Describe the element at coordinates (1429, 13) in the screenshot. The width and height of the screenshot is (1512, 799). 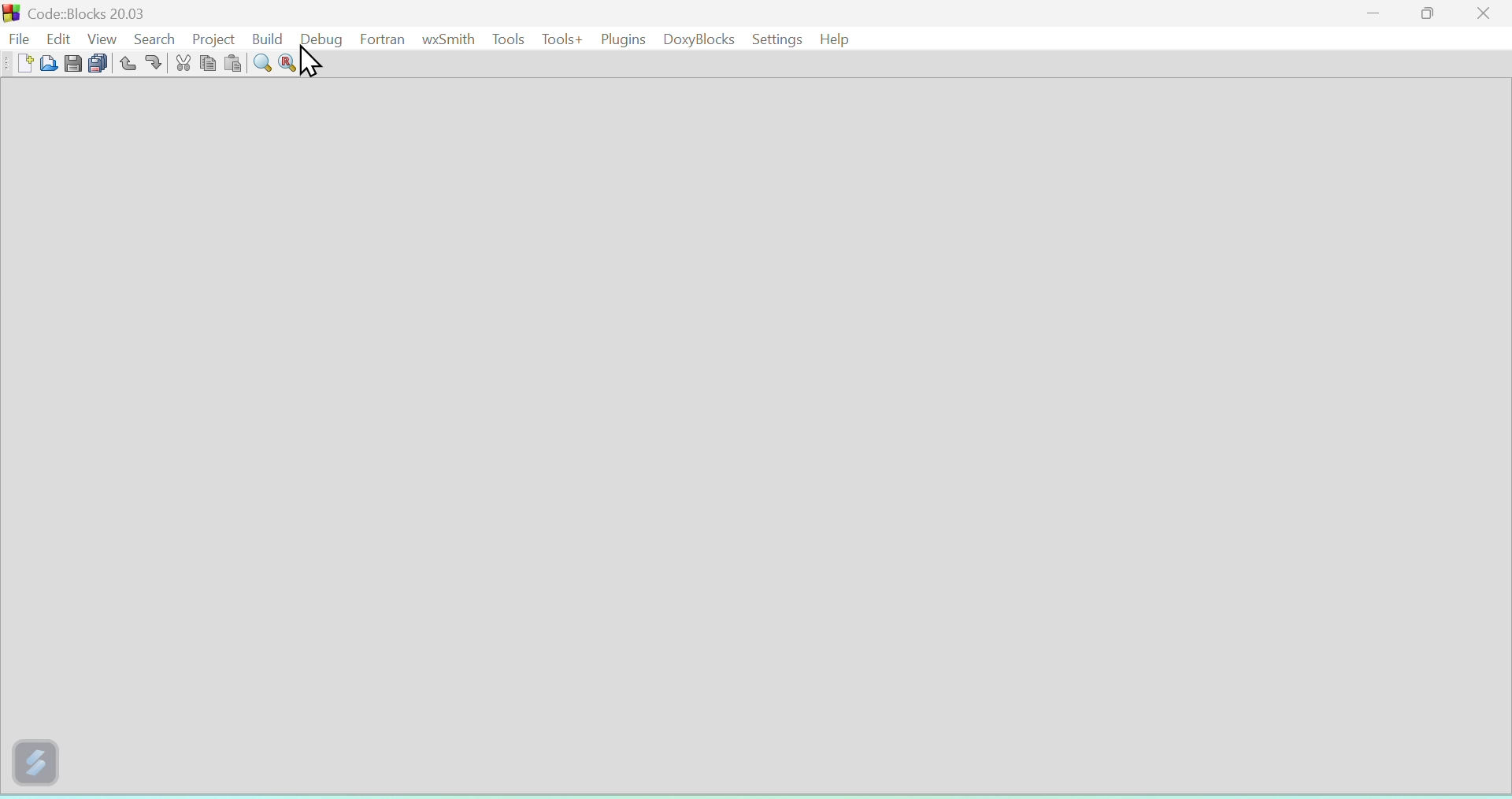
I see `maximize` at that location.